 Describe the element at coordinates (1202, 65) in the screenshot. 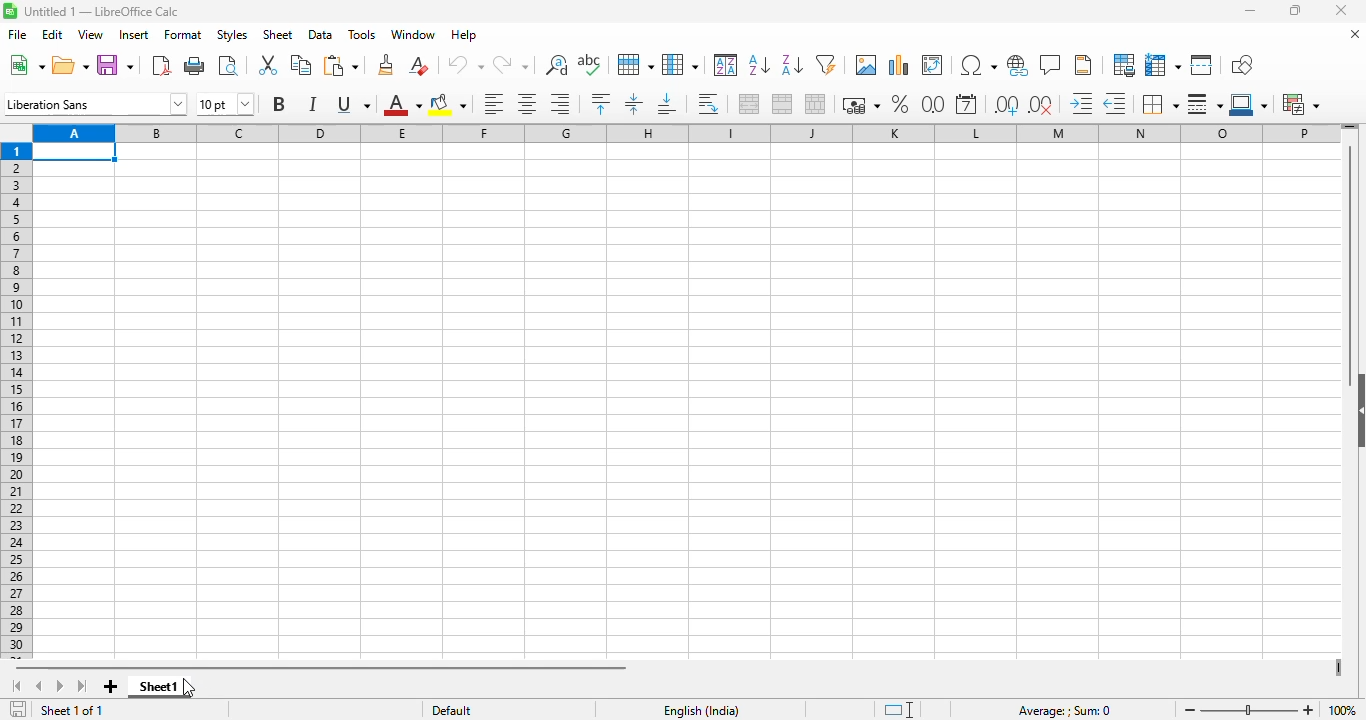

I see `split window` at that location.